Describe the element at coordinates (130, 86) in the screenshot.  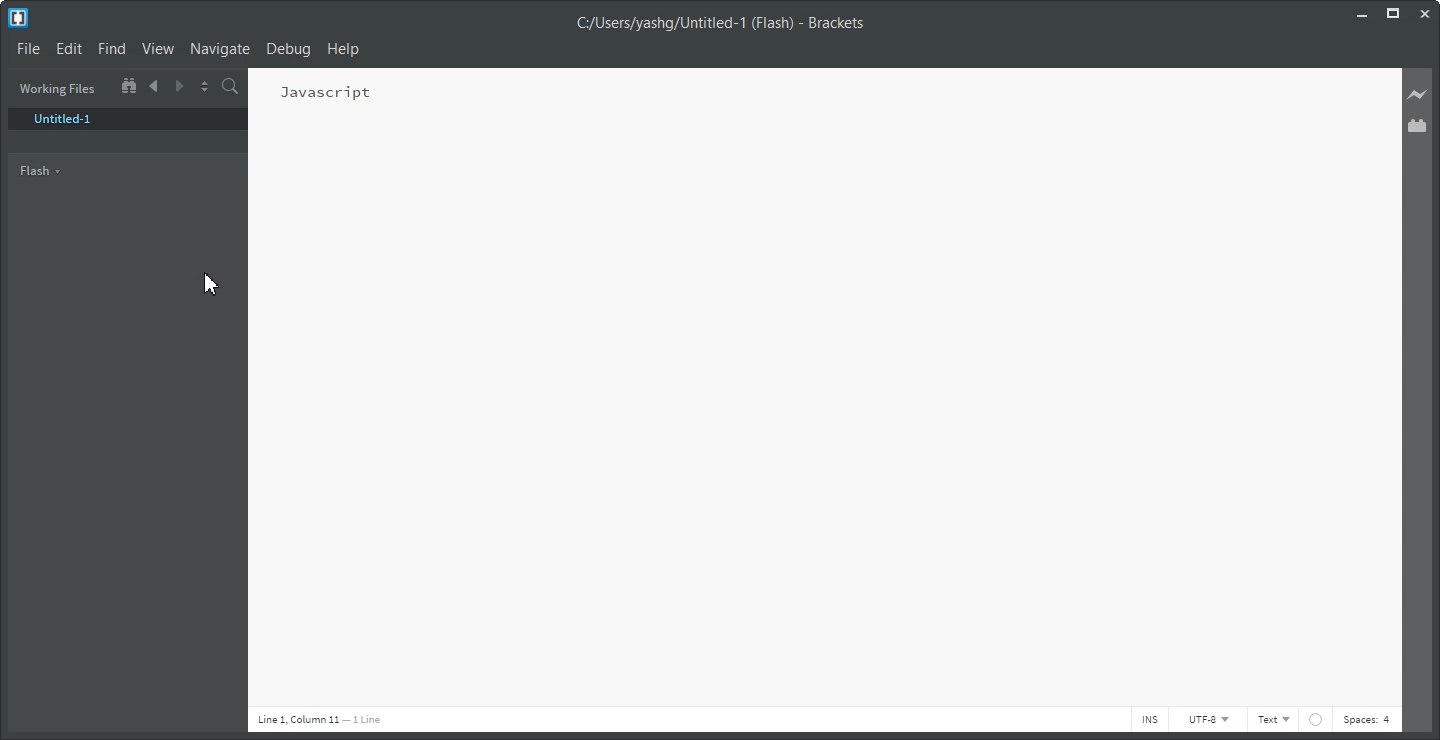
I see `Show in file tree` at that location.